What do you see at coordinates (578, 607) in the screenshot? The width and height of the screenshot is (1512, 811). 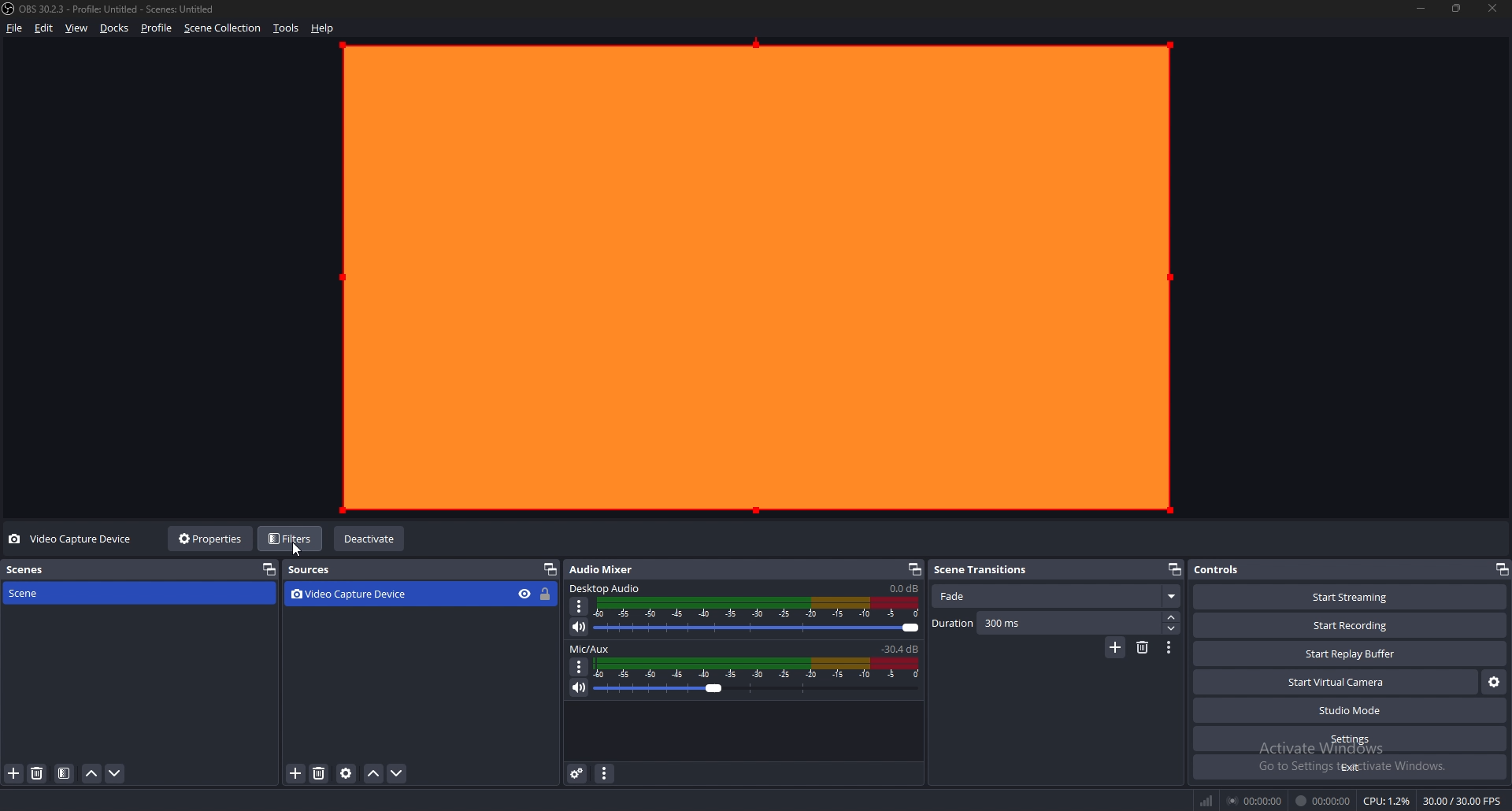 I see `options` at bounding box center [578, 607].